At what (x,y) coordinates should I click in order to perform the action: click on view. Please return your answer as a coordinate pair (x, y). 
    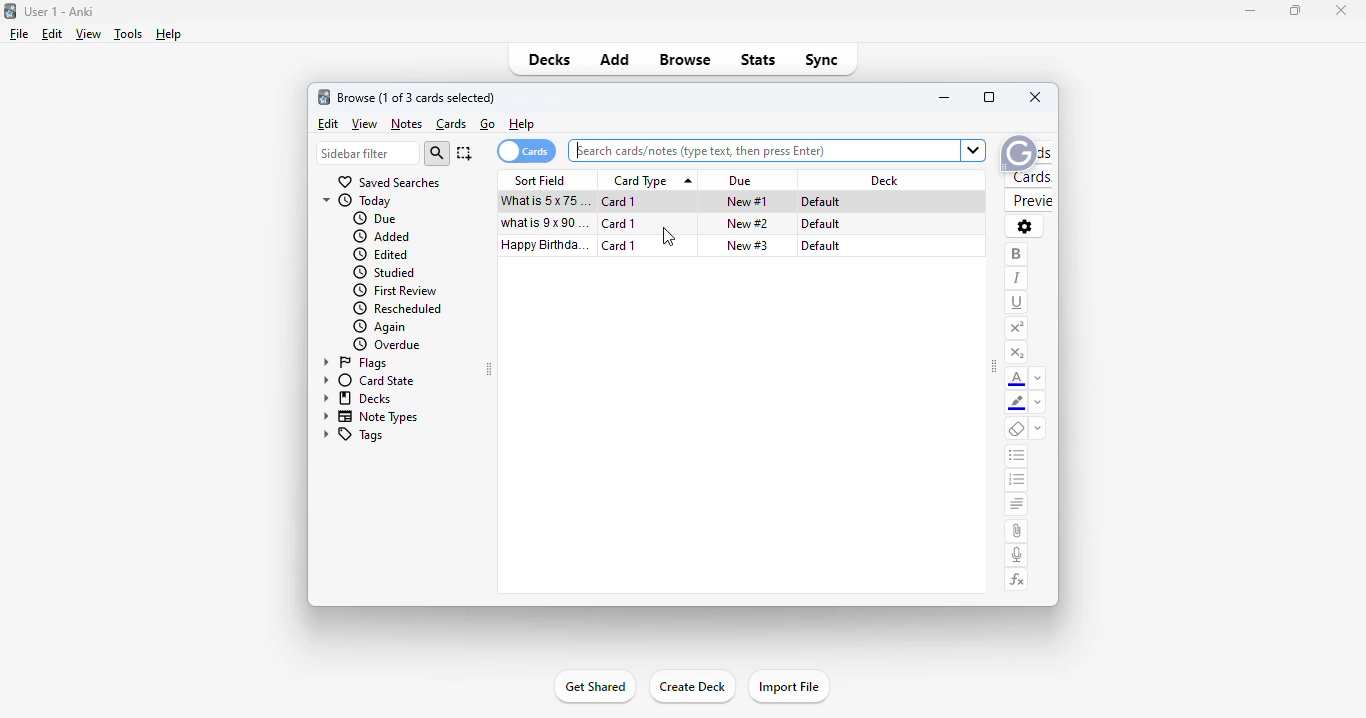
    Looking at the image, I should click on (87, 35).